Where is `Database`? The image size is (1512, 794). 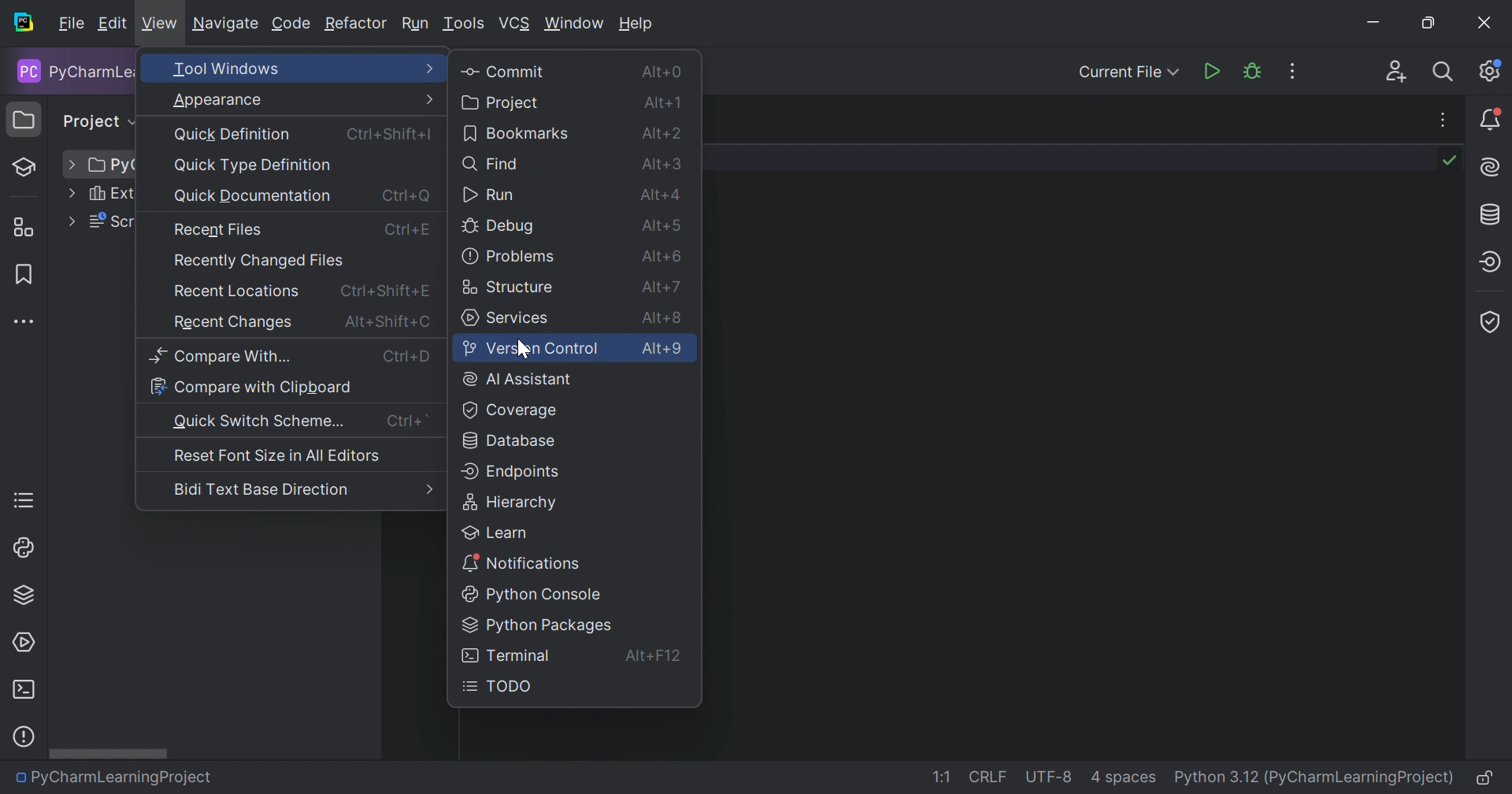 Database is located at coordinates (510, 439).